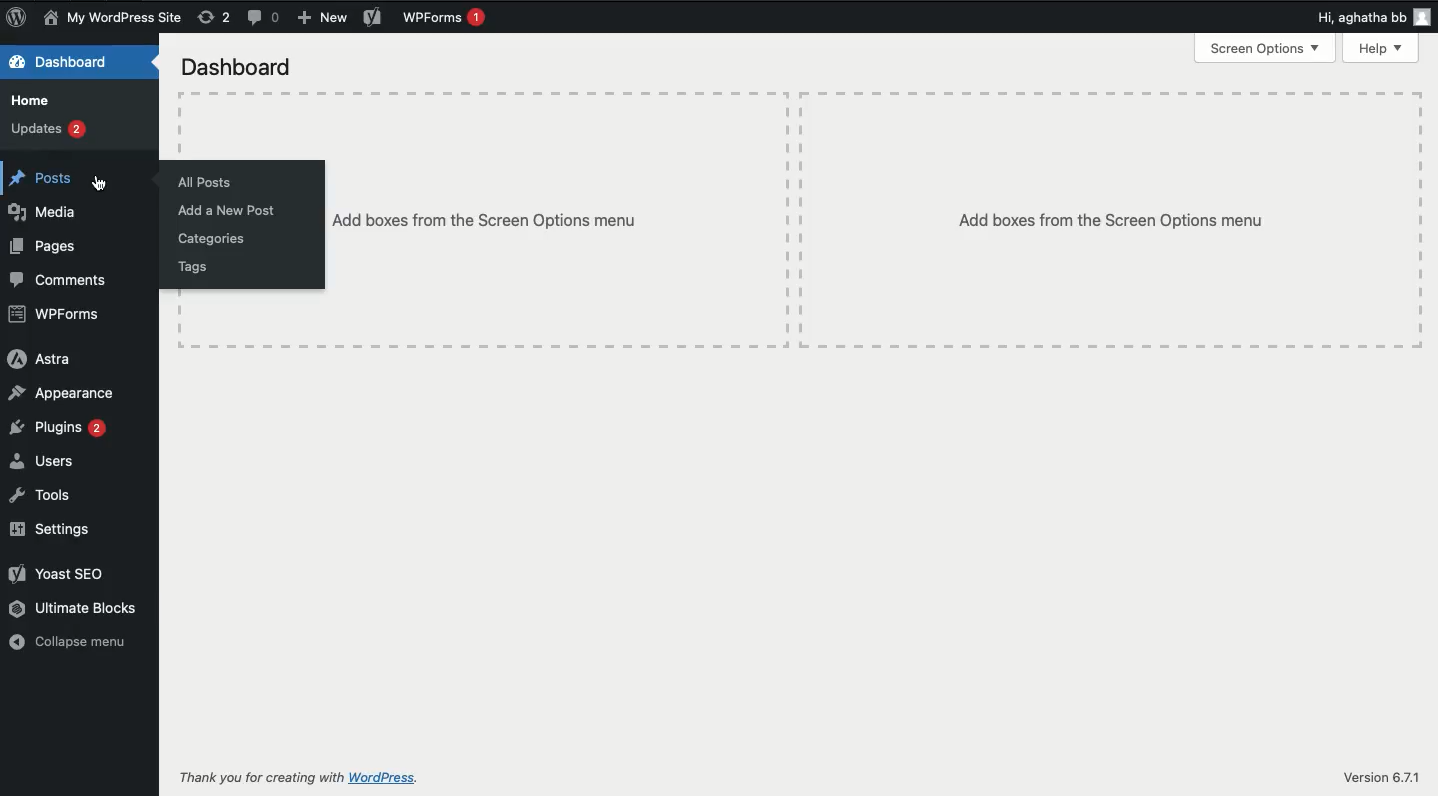  Describe the element at coordinates (48, 128) in the screenshot. I see `Updates` at that location.